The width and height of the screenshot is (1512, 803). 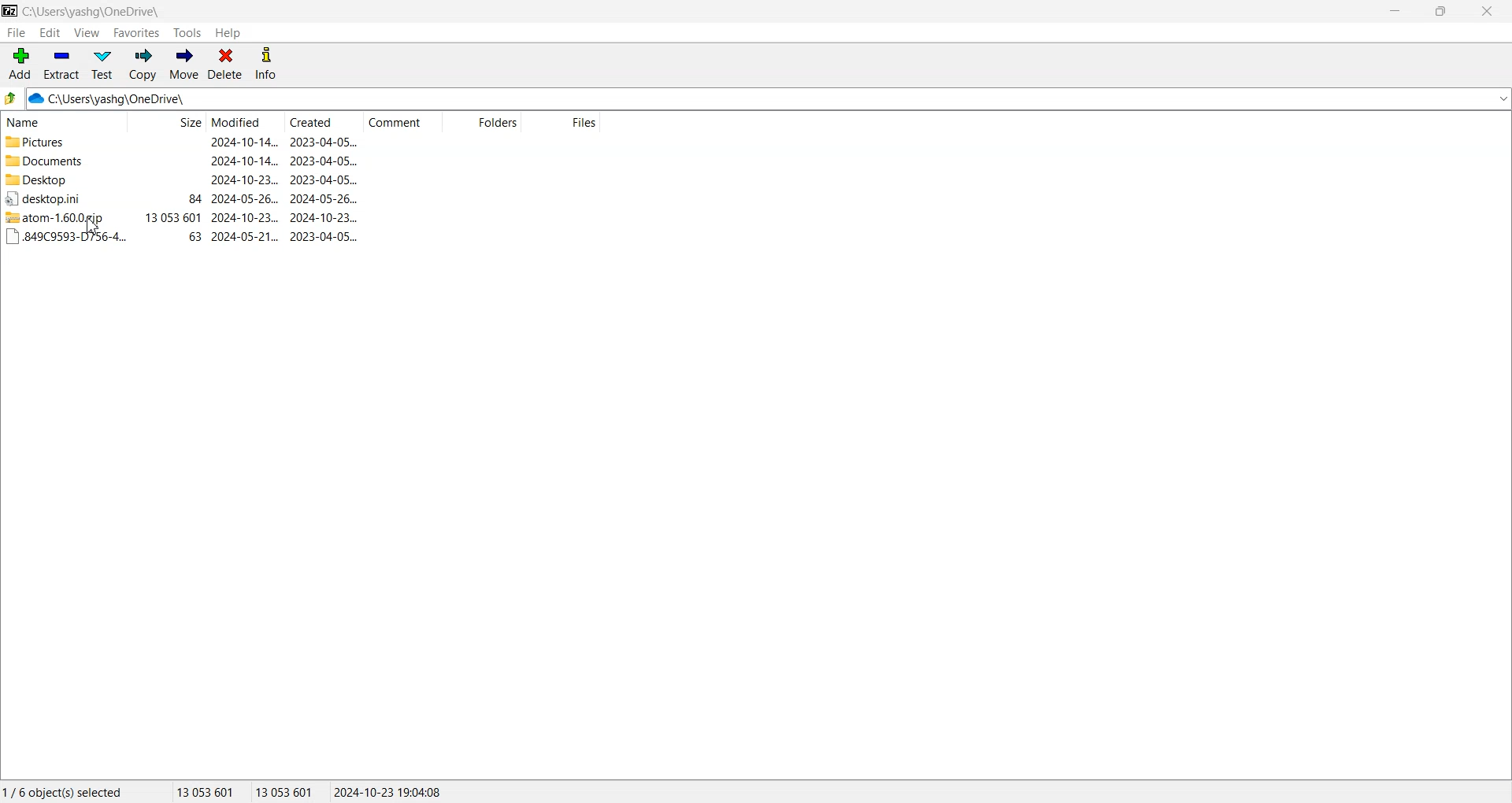 What do you see at coordinates (324, 161) in the screenshot?
I see `2023-04-05` at bounding box center [324, 161].